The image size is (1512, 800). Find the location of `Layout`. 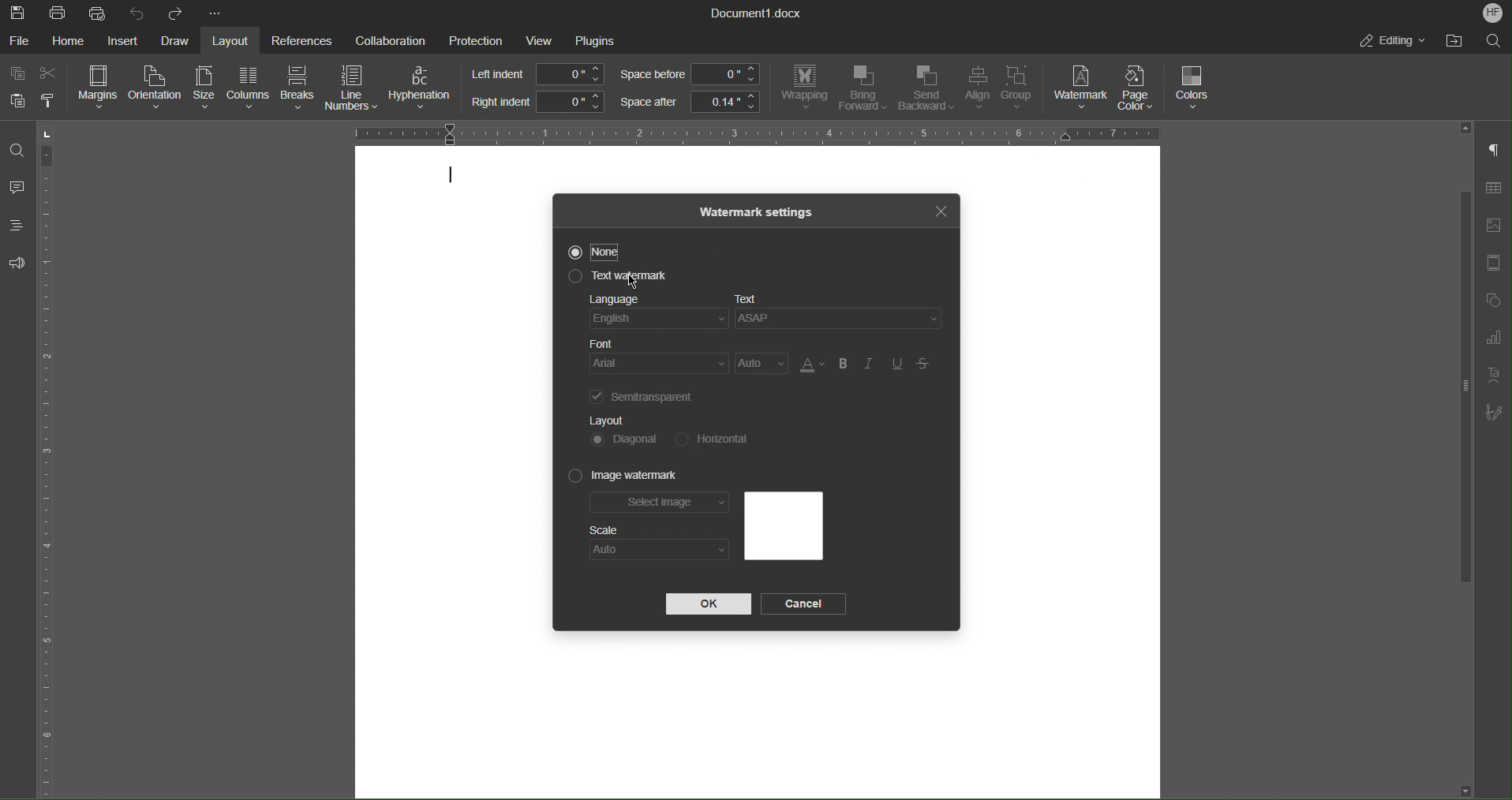

Layout is located at coordinates (234, 40).